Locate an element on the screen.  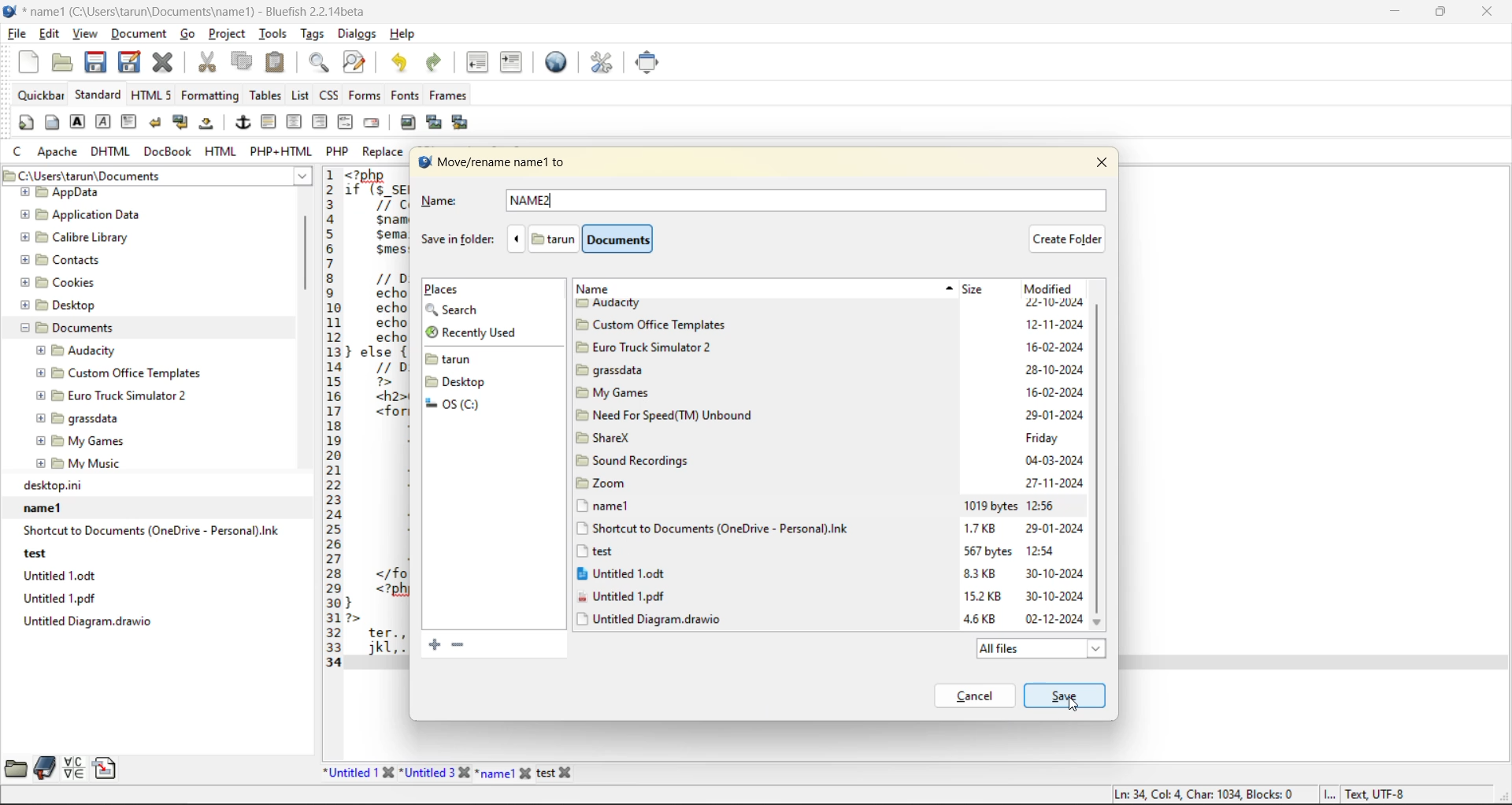
paste is located at coordinates (280, 63).